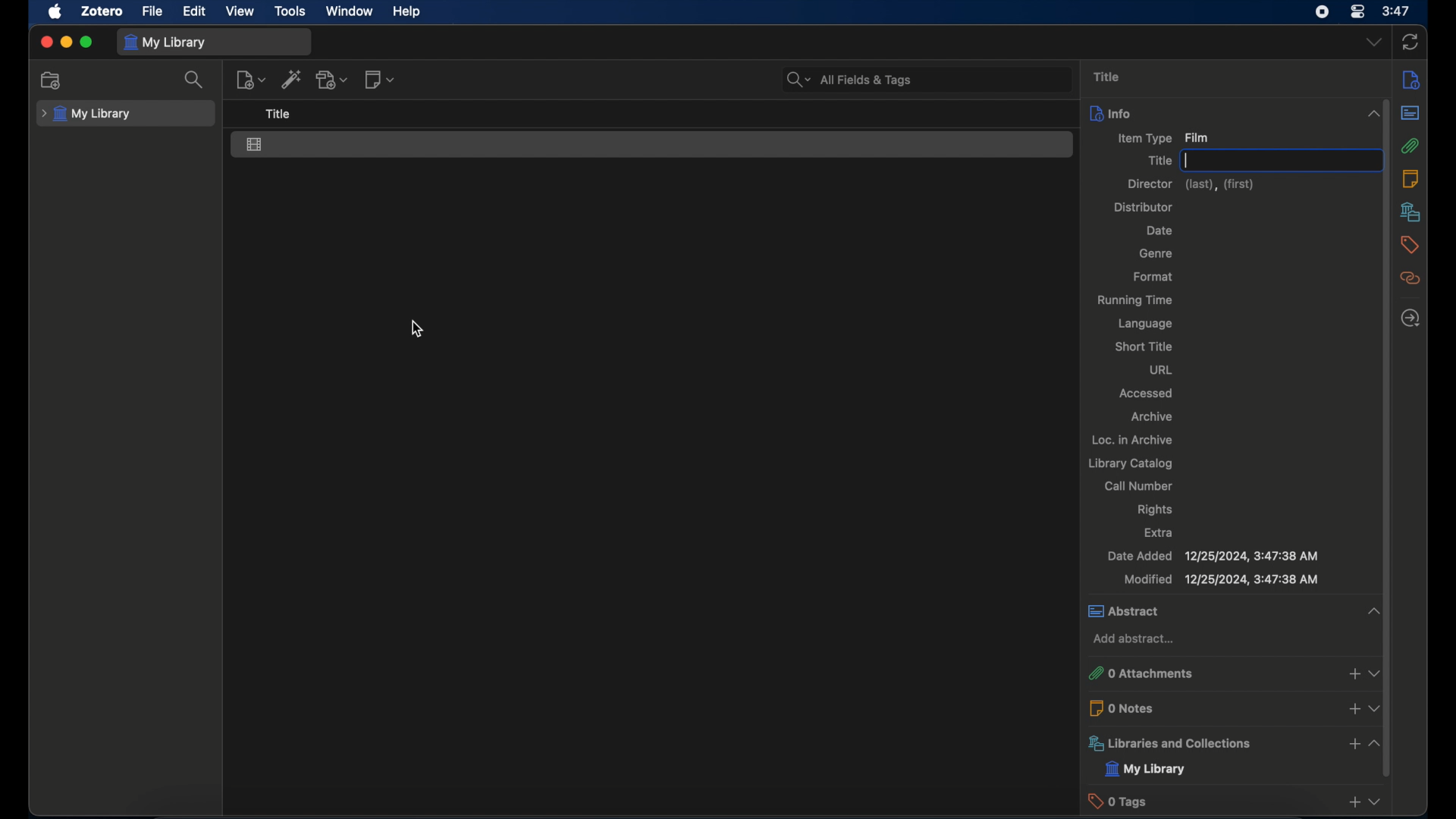 The height and width of the screenshot is (819, 1456). What do you see at coordinates (1376, 801) in the screenshot?
I see `dropdown` at bounding box center [1376, 801].